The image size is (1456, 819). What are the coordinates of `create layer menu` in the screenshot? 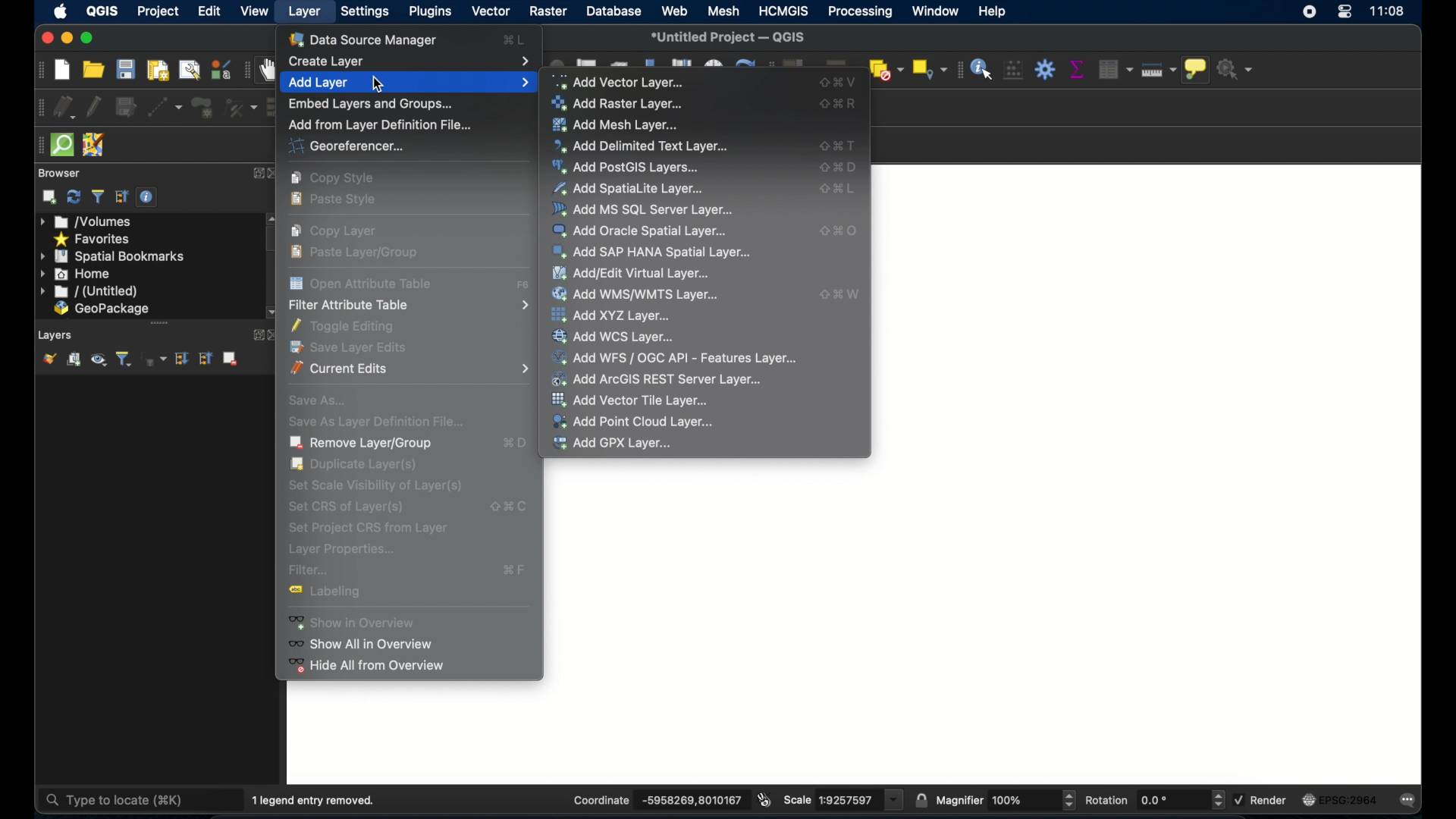 It's located at (410, 59).